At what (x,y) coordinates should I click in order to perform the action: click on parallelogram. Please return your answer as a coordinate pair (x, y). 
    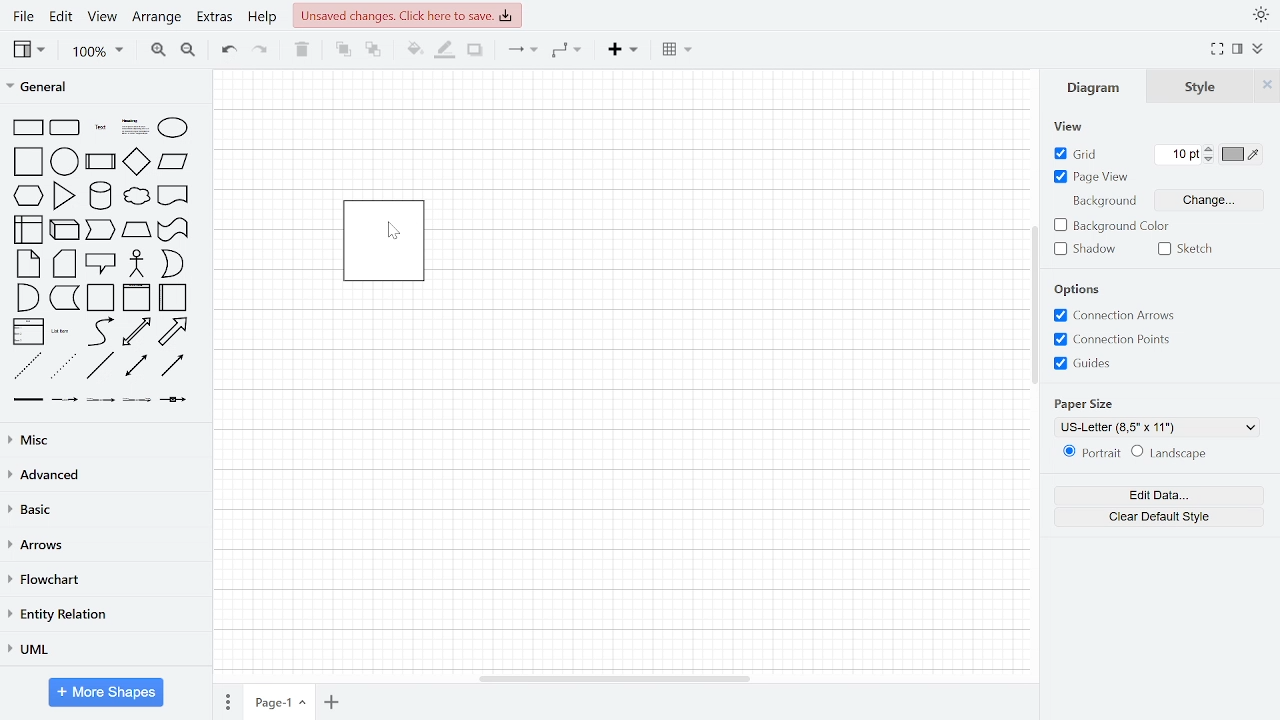
    Looking at the image, I should click on (173, 163).